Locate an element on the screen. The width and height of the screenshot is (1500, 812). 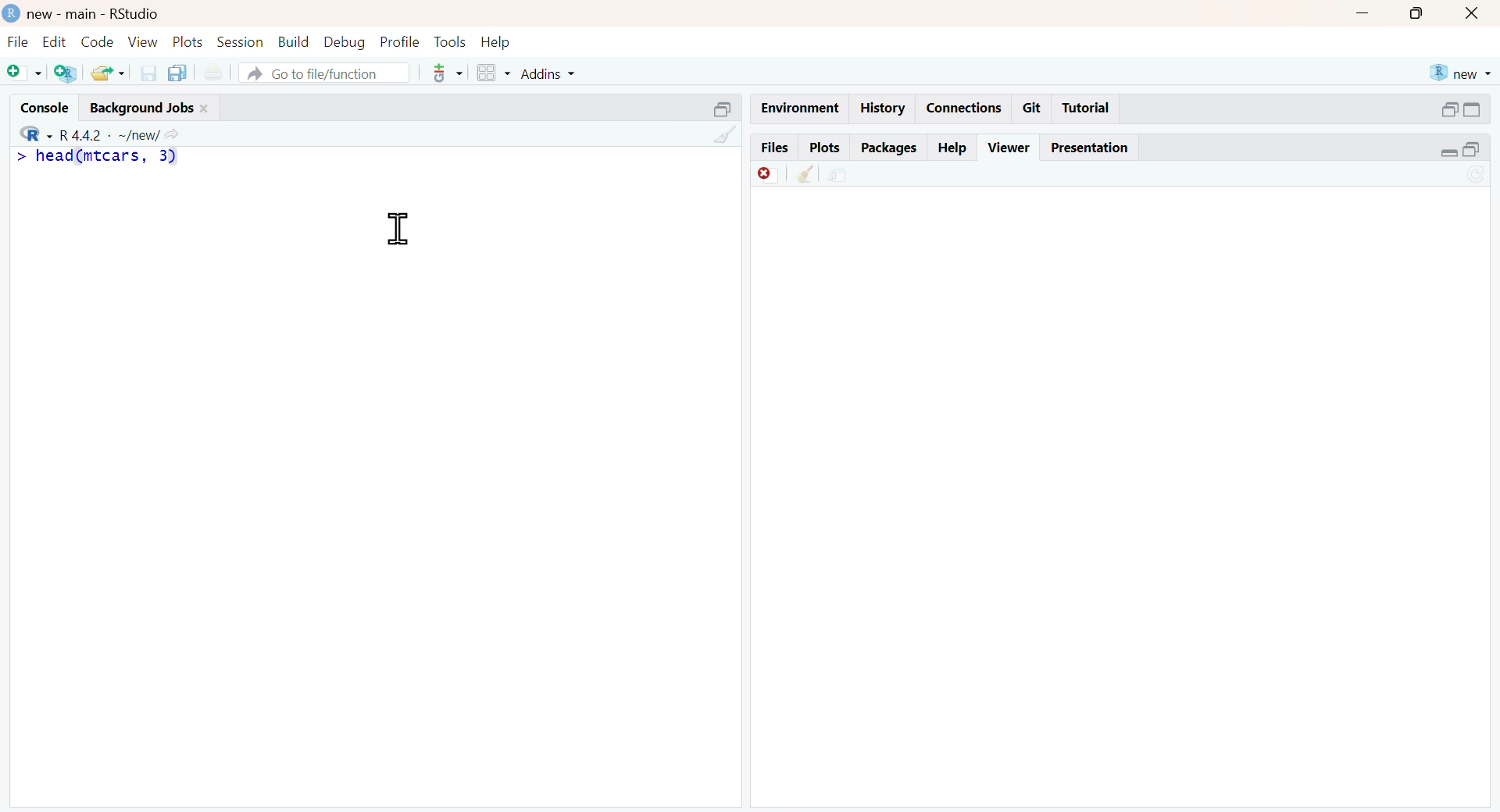
text cursor is located at coordinates (395, 229).